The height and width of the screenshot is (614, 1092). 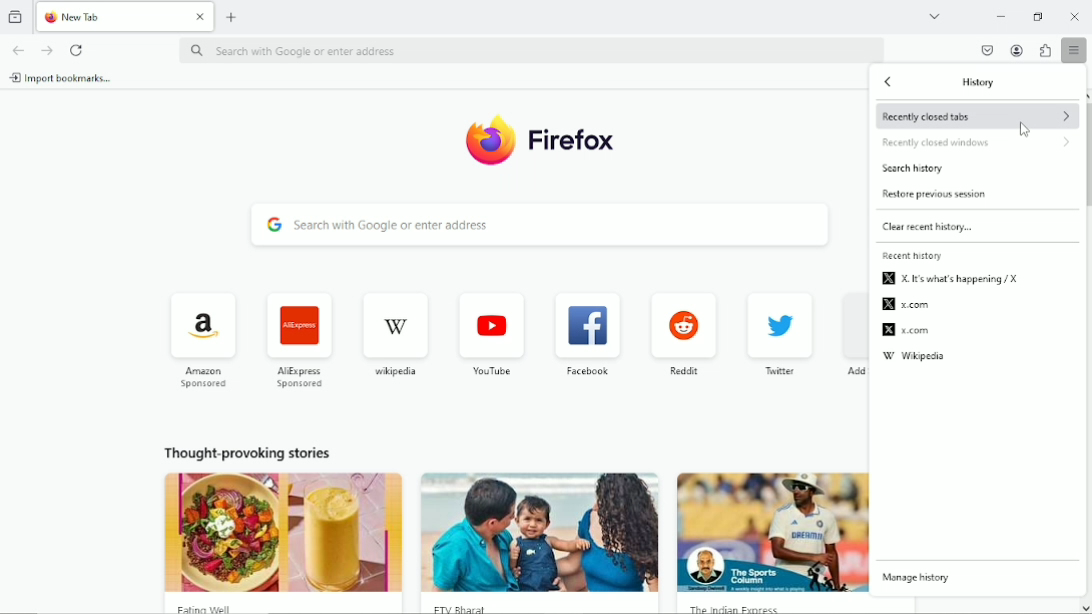 I want to click on facebook, so click(x=586, y=371).